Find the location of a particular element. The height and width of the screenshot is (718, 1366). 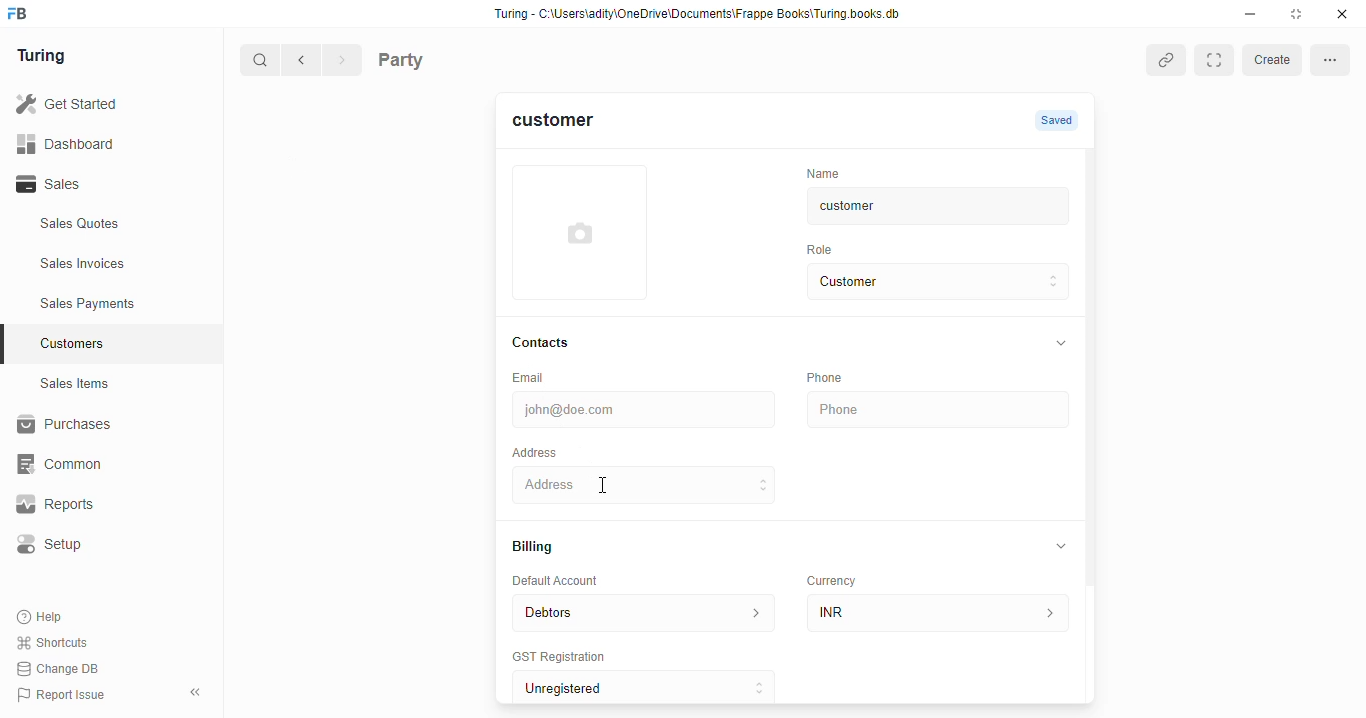

Email is located at coordinates (530, 377).